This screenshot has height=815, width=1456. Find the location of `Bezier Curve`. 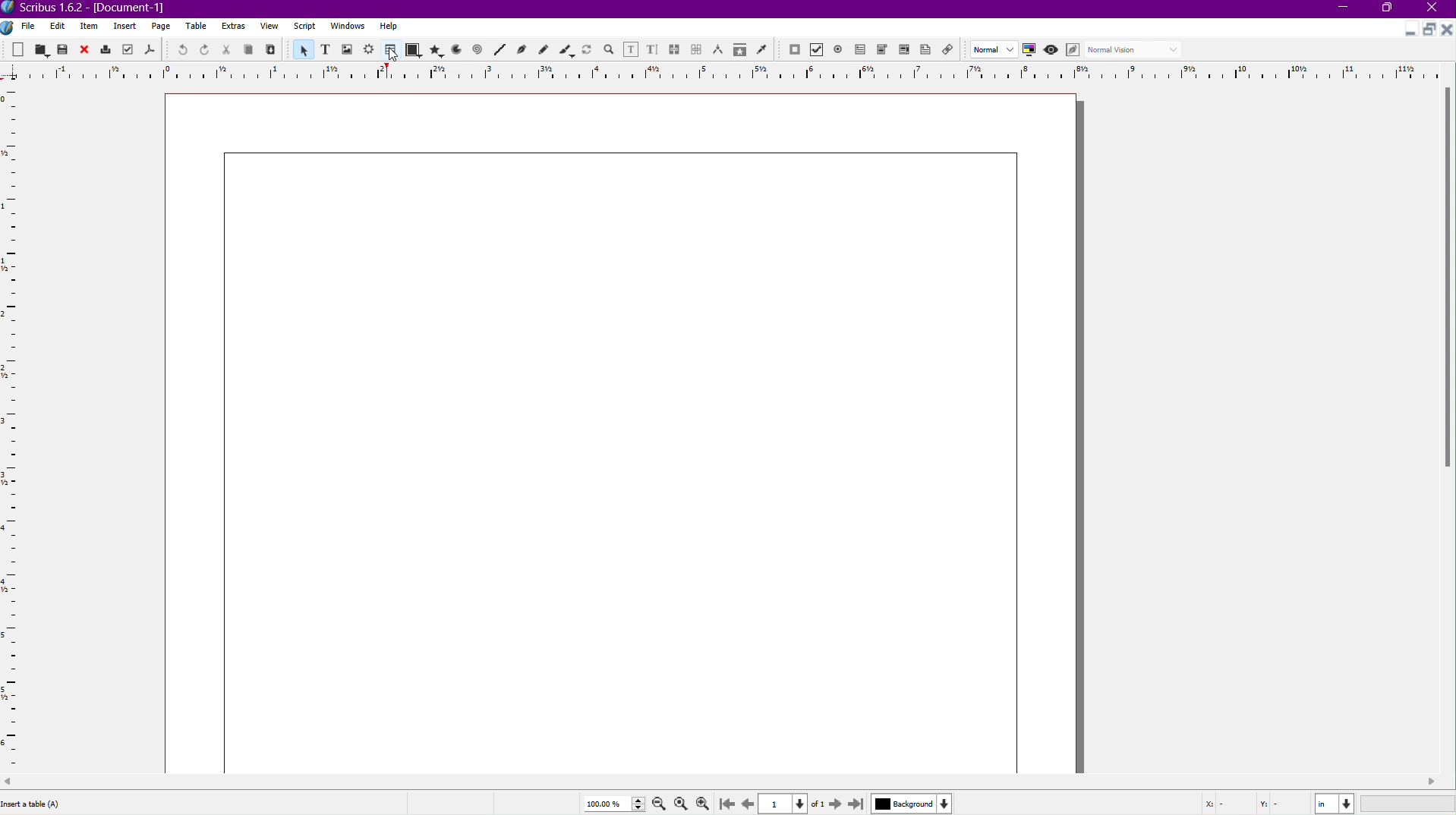

Bezier Curve is located at coordinates (522, 50).